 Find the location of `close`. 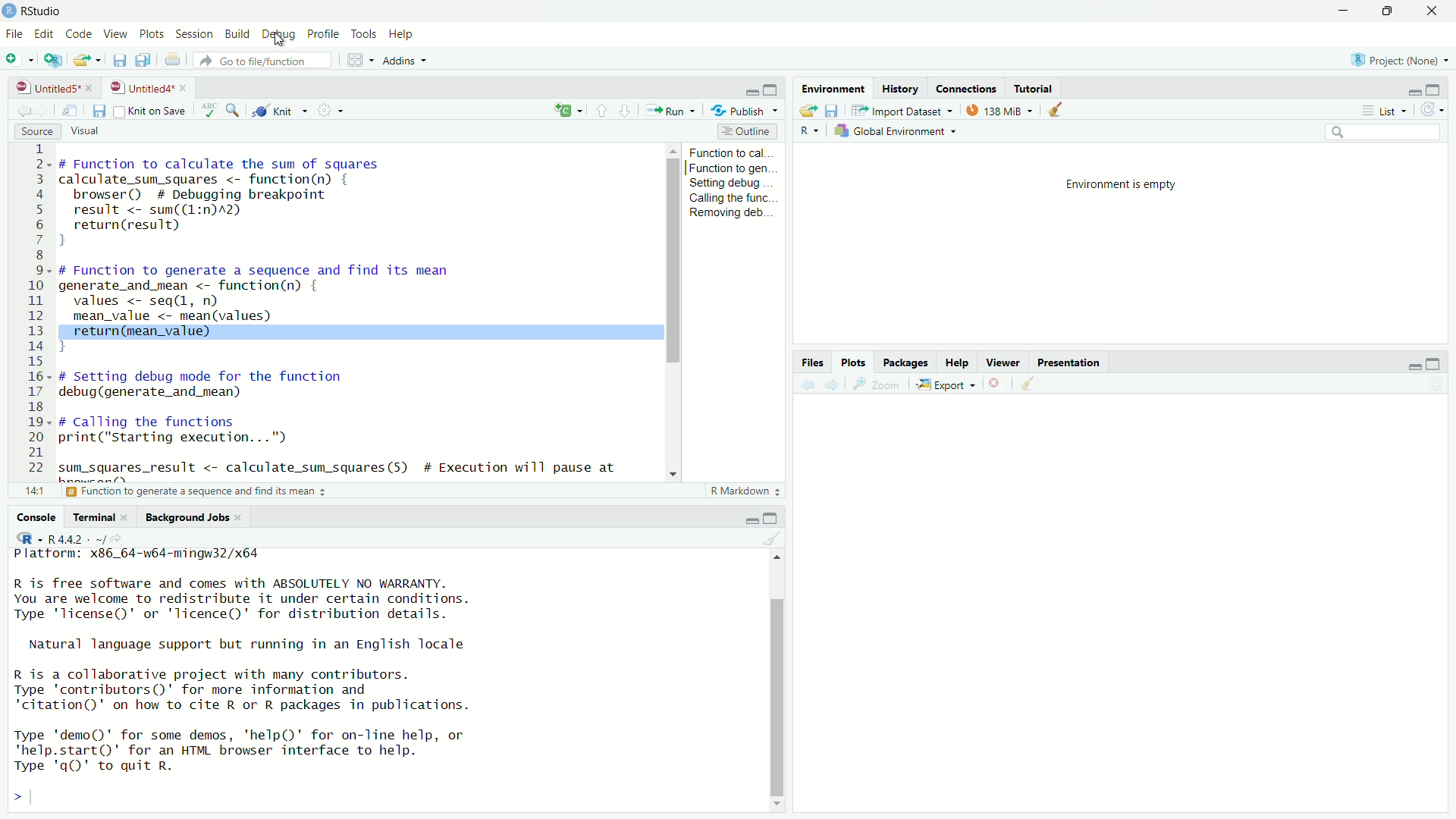

close is located at coordinates (1438, 12).